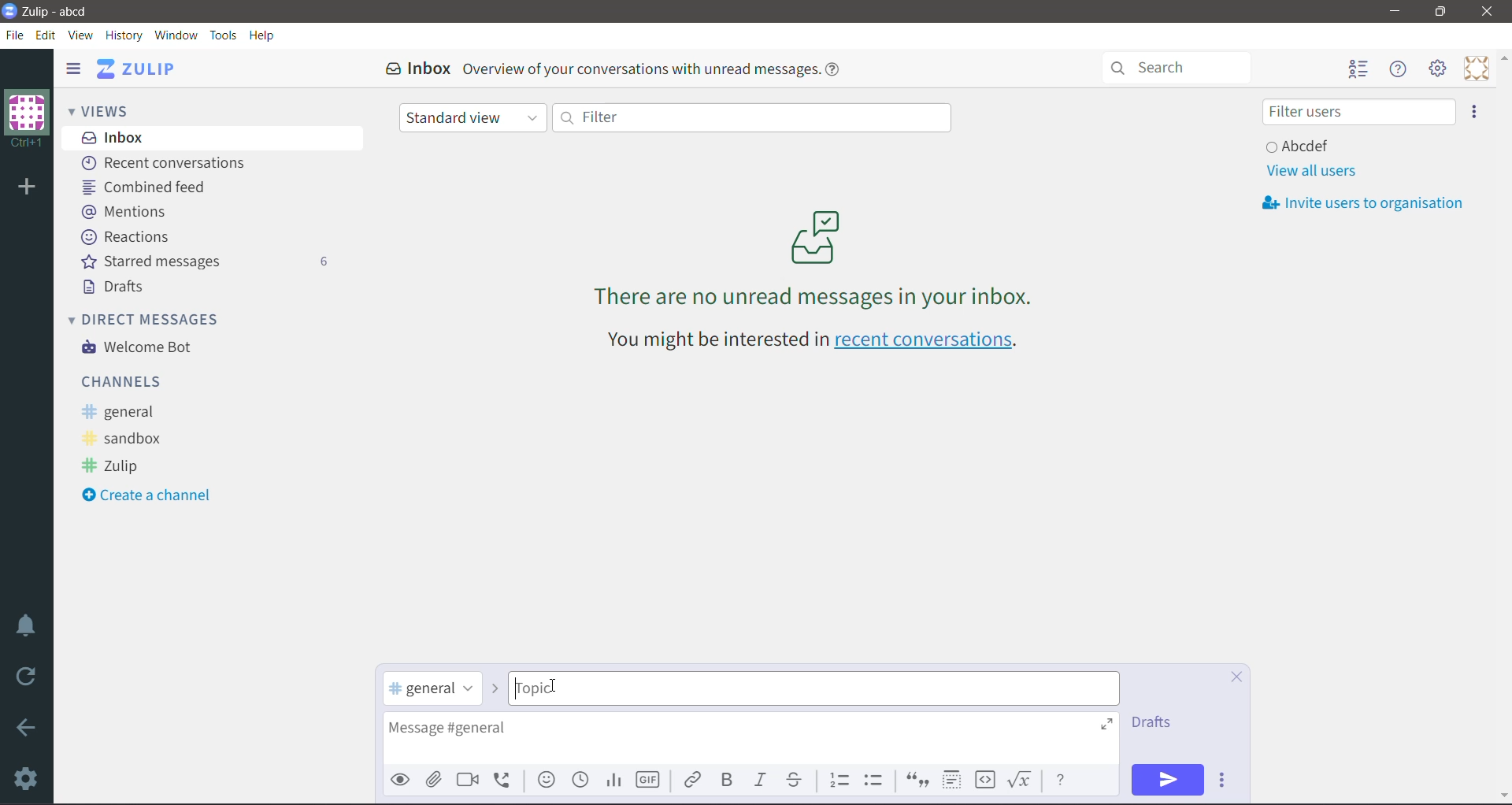 The image size is (1512, 805). What do you see at coordinates (28, 778) in the screenshot?
I see `Settings` at bounding box center [28, 778].